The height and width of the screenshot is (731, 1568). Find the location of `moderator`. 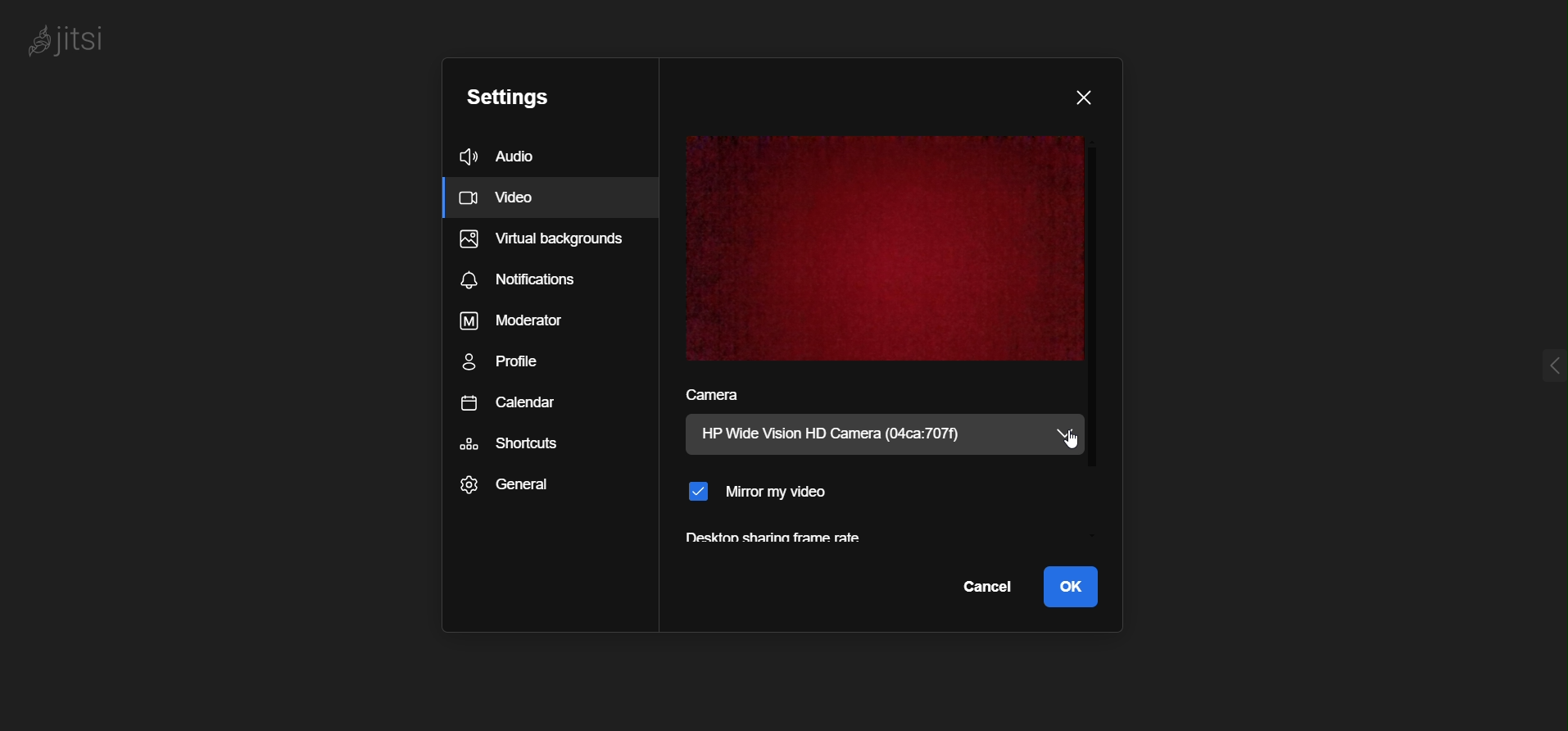

moderator is located at coordinates (524, 323).